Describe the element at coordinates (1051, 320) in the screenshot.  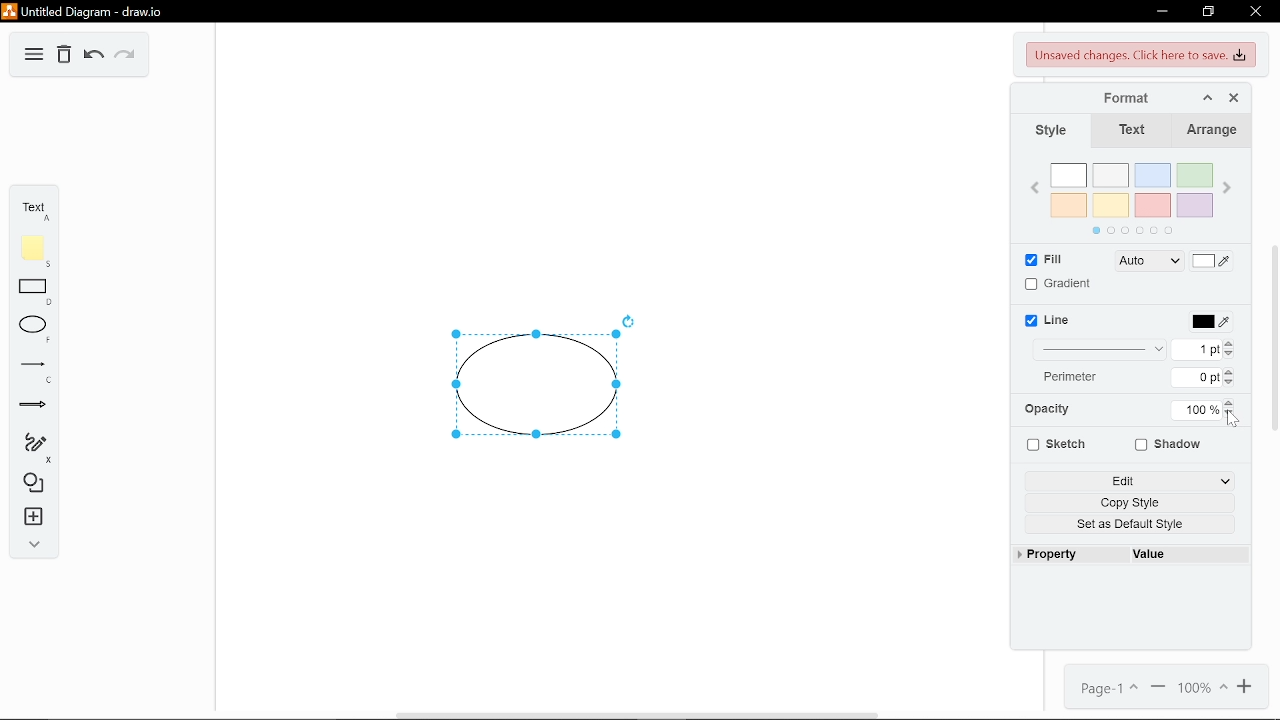
I see `Line color` at that location.